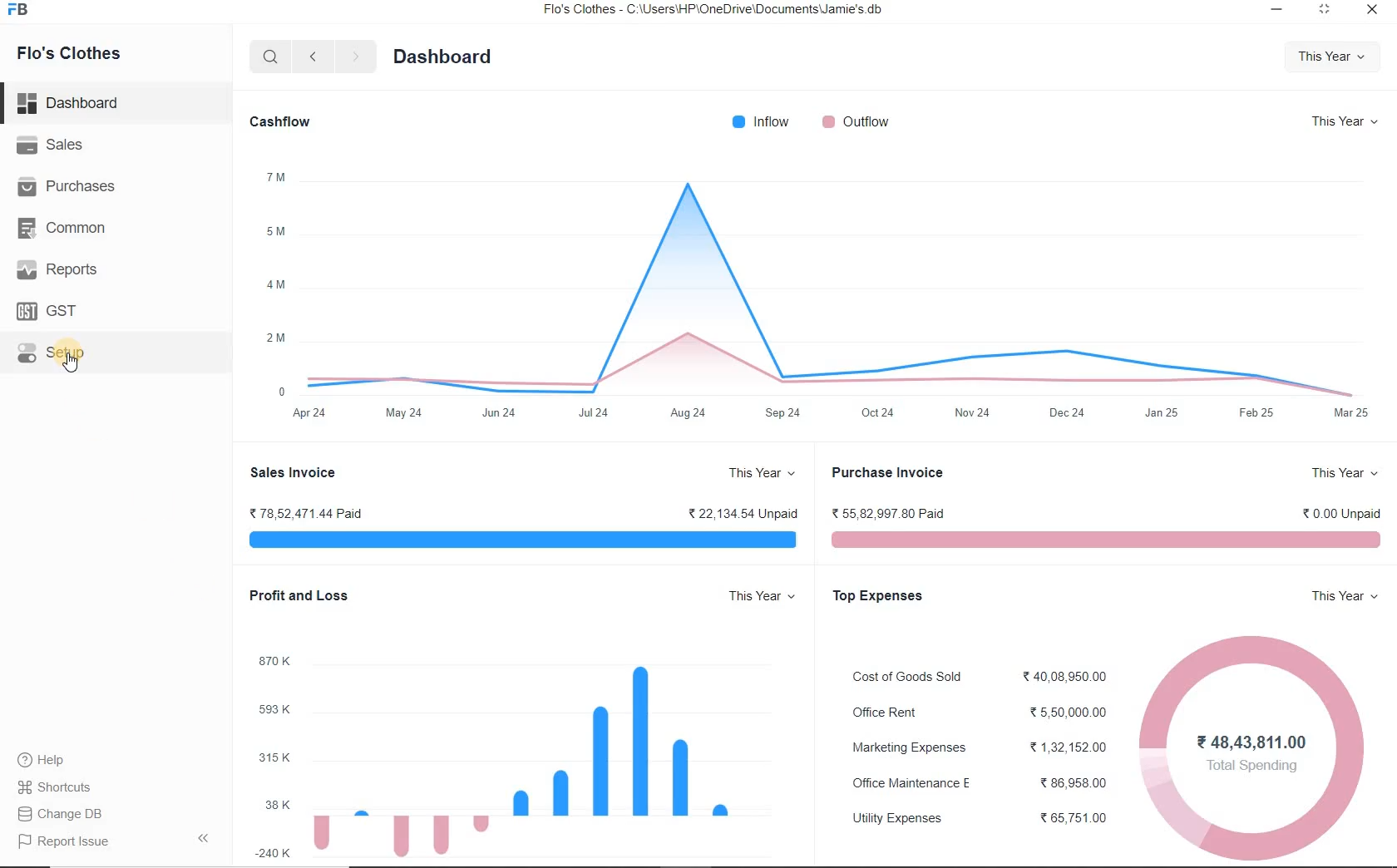 The width and height of the screenshot is (1397, 868). Describe the element at coordinates (294, 474) in the screenshot. I see `Sales Invoice` at that location.